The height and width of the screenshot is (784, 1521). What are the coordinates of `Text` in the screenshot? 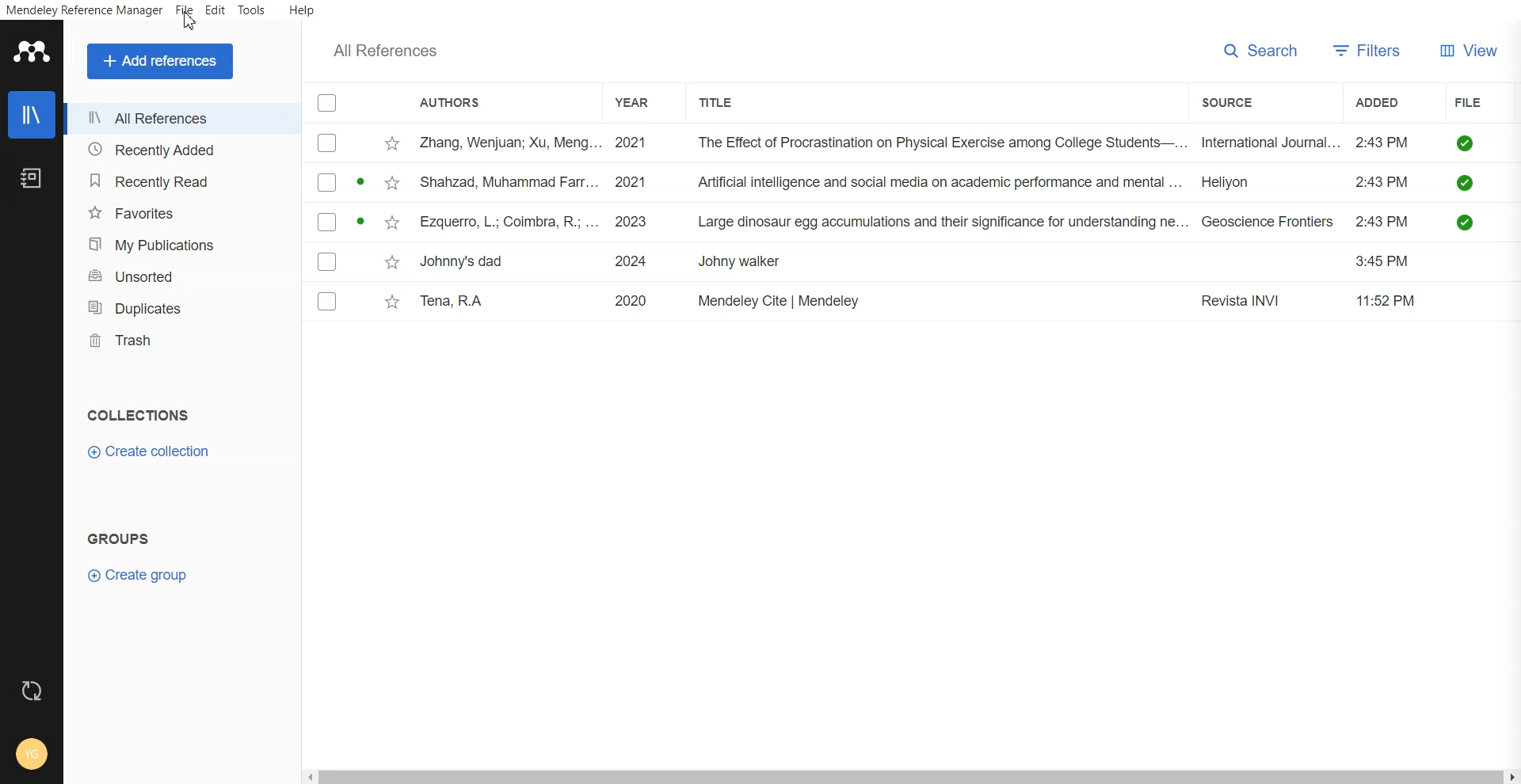 It's located at (389, 50).